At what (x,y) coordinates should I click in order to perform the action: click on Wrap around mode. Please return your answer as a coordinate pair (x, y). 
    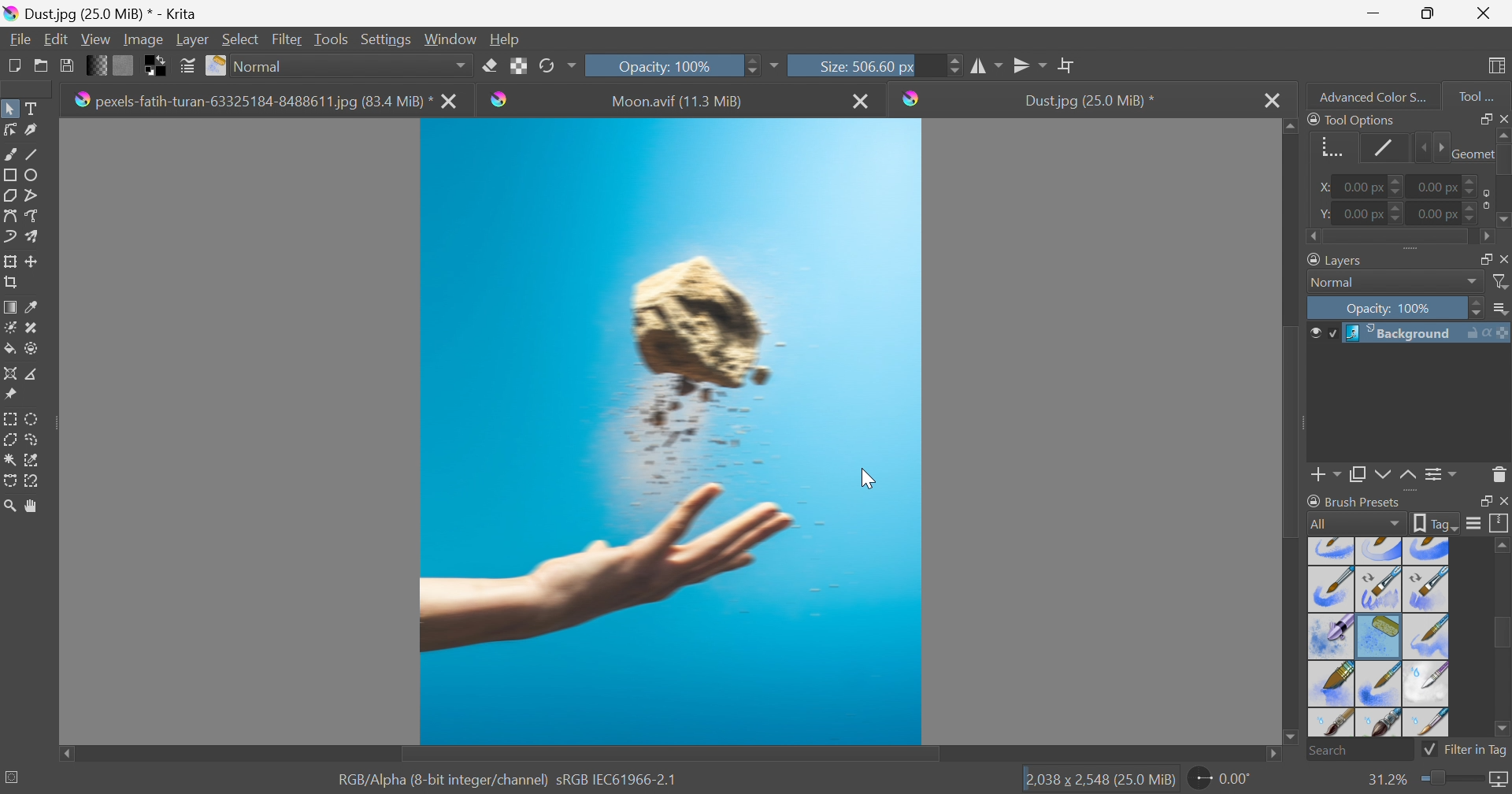
    Looking at the image, I should click on (1069, 65).